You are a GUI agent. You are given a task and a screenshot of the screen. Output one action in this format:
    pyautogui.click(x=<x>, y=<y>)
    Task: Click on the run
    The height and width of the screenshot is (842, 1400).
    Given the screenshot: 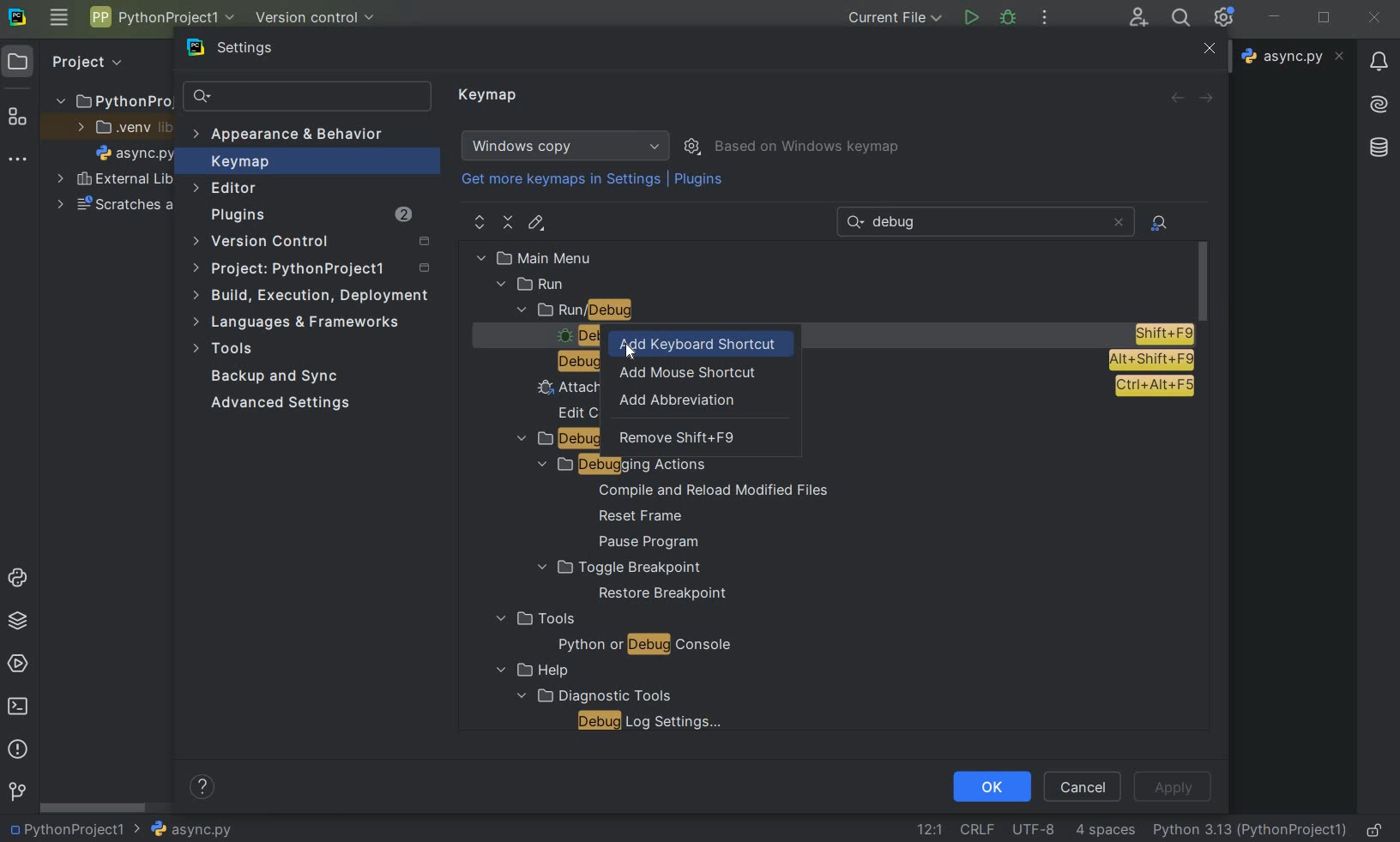 What is the action you would take?
    pyautogui.click(x=533, y=285)
    